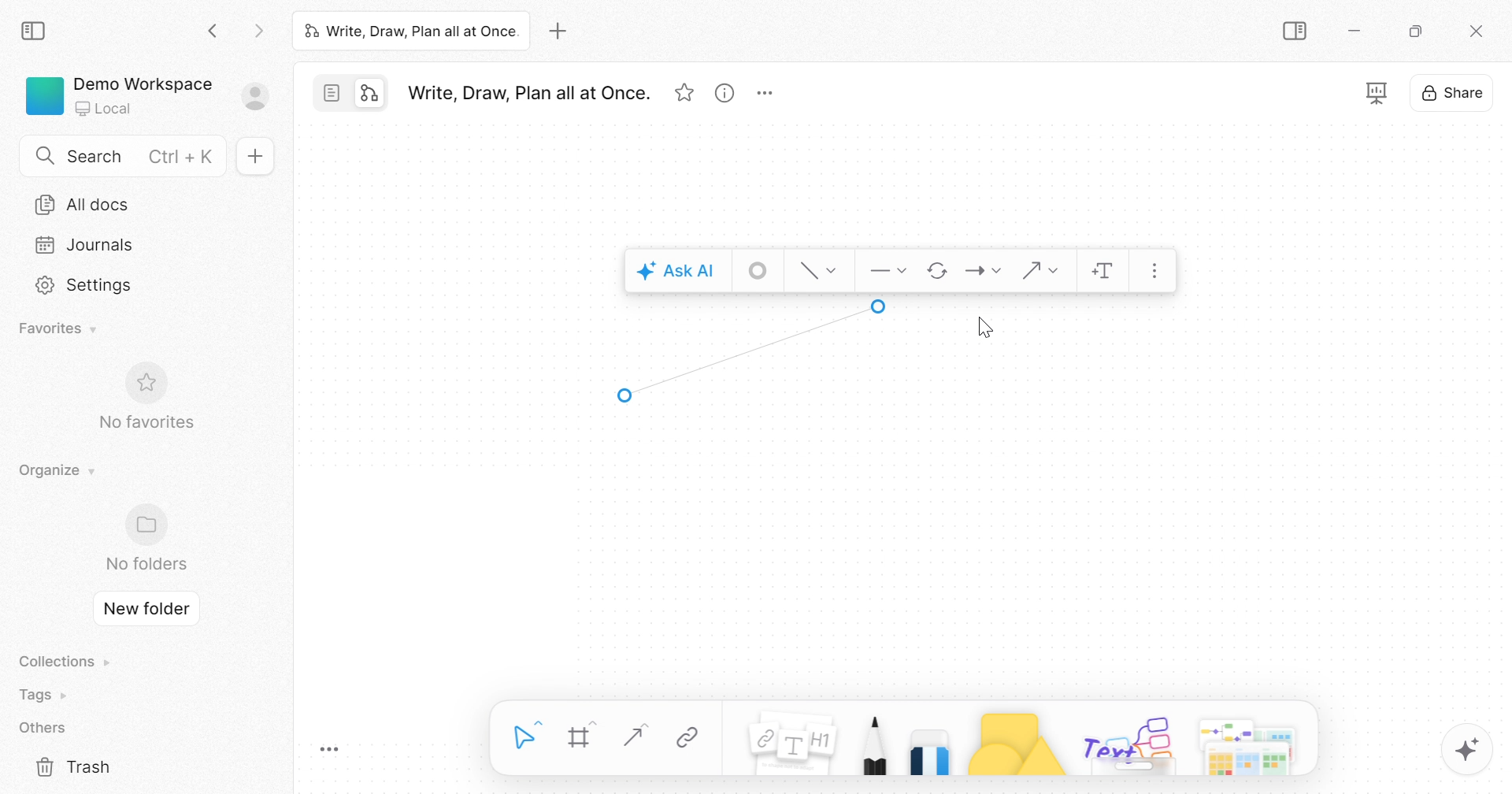 This screenshot has height=794, width=1512. I want to click on Others, so click(43, 729).